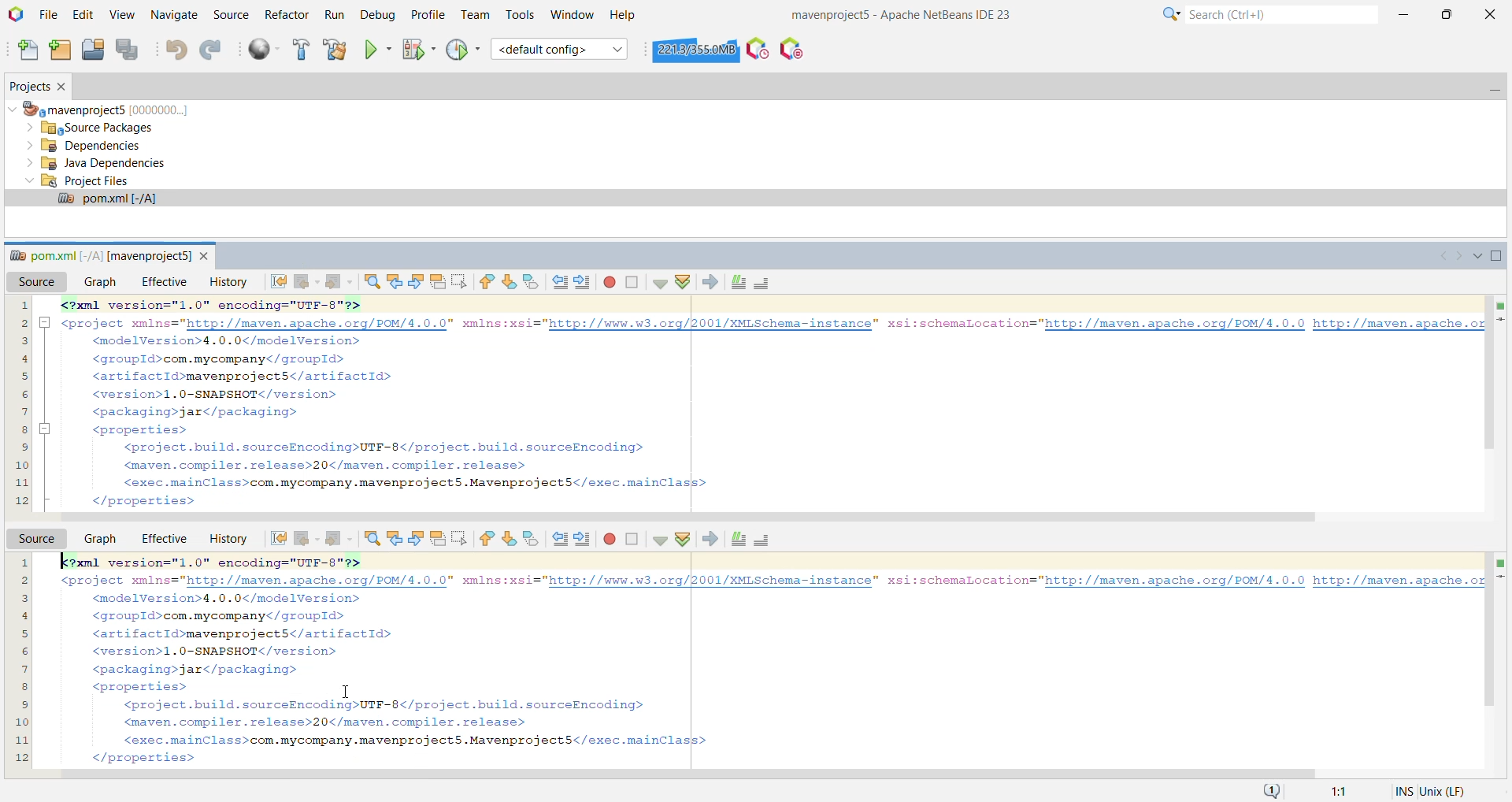 The image size is (1512, 802). I want to click on 7, so click(23, 410).